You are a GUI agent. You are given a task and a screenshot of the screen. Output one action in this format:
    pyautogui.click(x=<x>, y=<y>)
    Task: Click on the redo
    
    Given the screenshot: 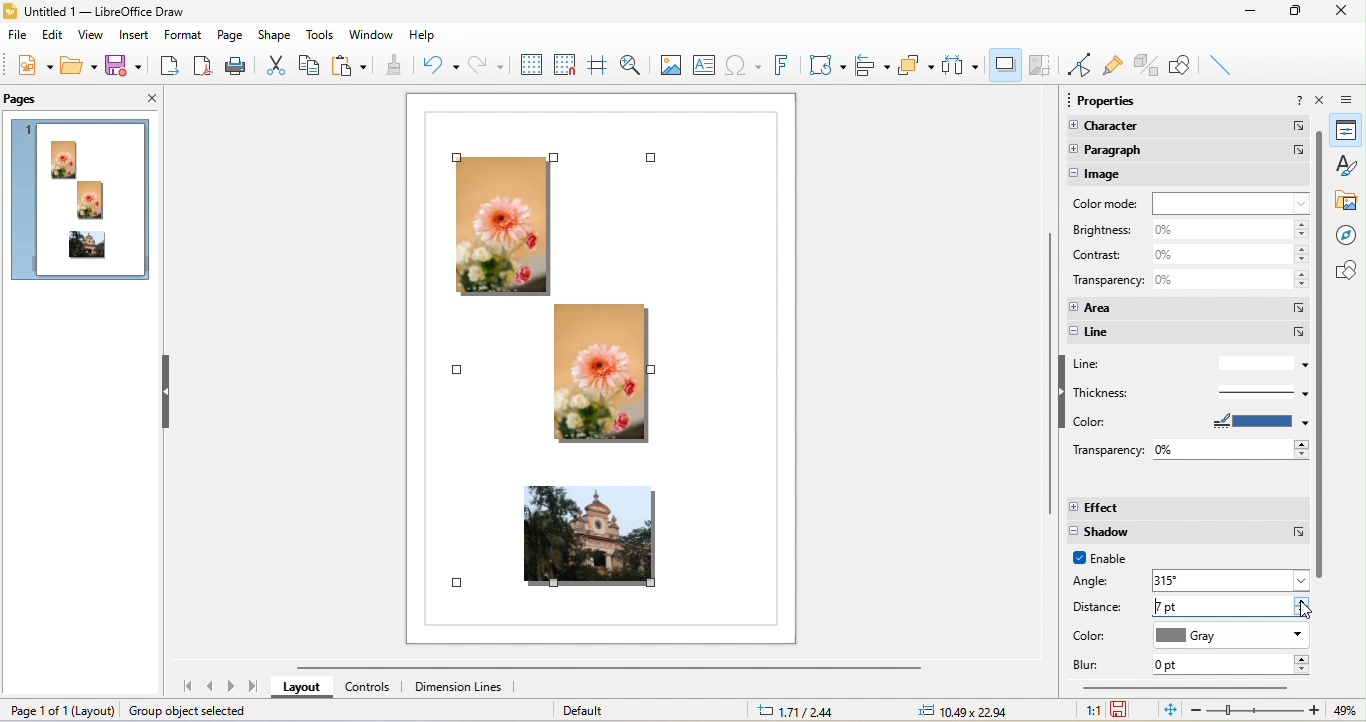 What is the action you would take?
    pyautogui.click(x=485, y=63)
    